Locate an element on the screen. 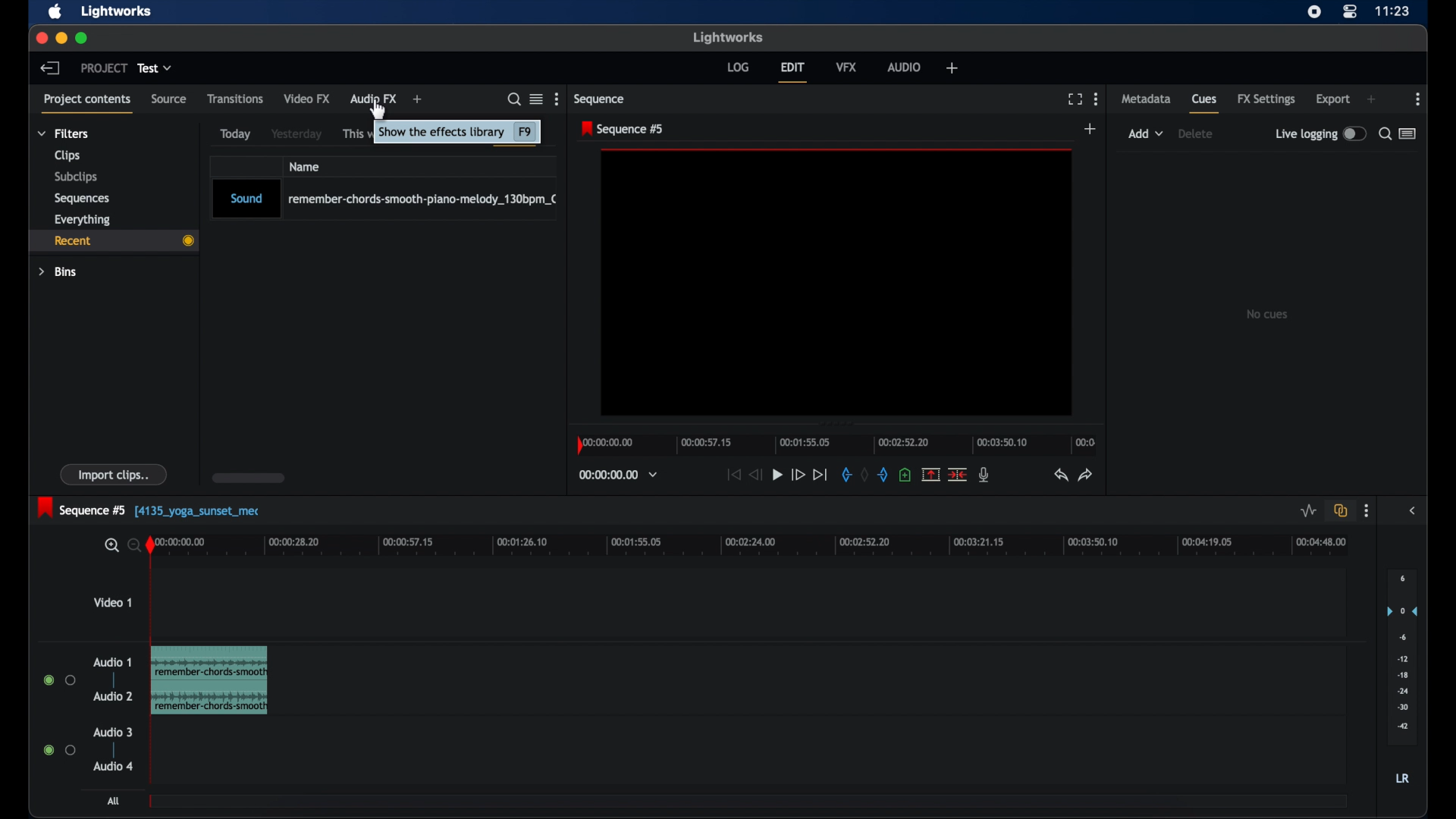 The image size is (1456, 819). lightworks is located at coordinates (726, 36).